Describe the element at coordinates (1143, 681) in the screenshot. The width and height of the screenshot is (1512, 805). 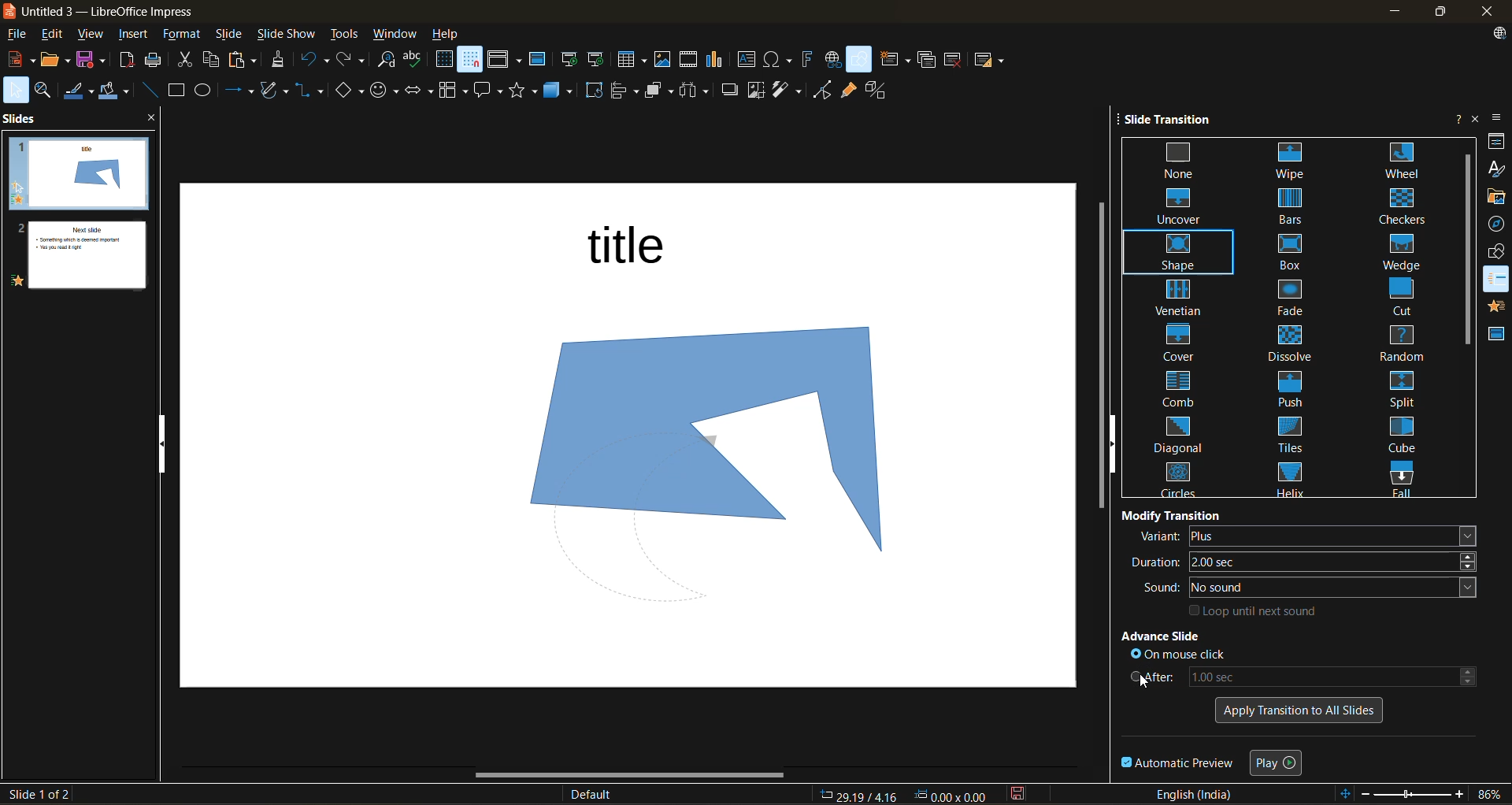
I see `cursor` at that location.